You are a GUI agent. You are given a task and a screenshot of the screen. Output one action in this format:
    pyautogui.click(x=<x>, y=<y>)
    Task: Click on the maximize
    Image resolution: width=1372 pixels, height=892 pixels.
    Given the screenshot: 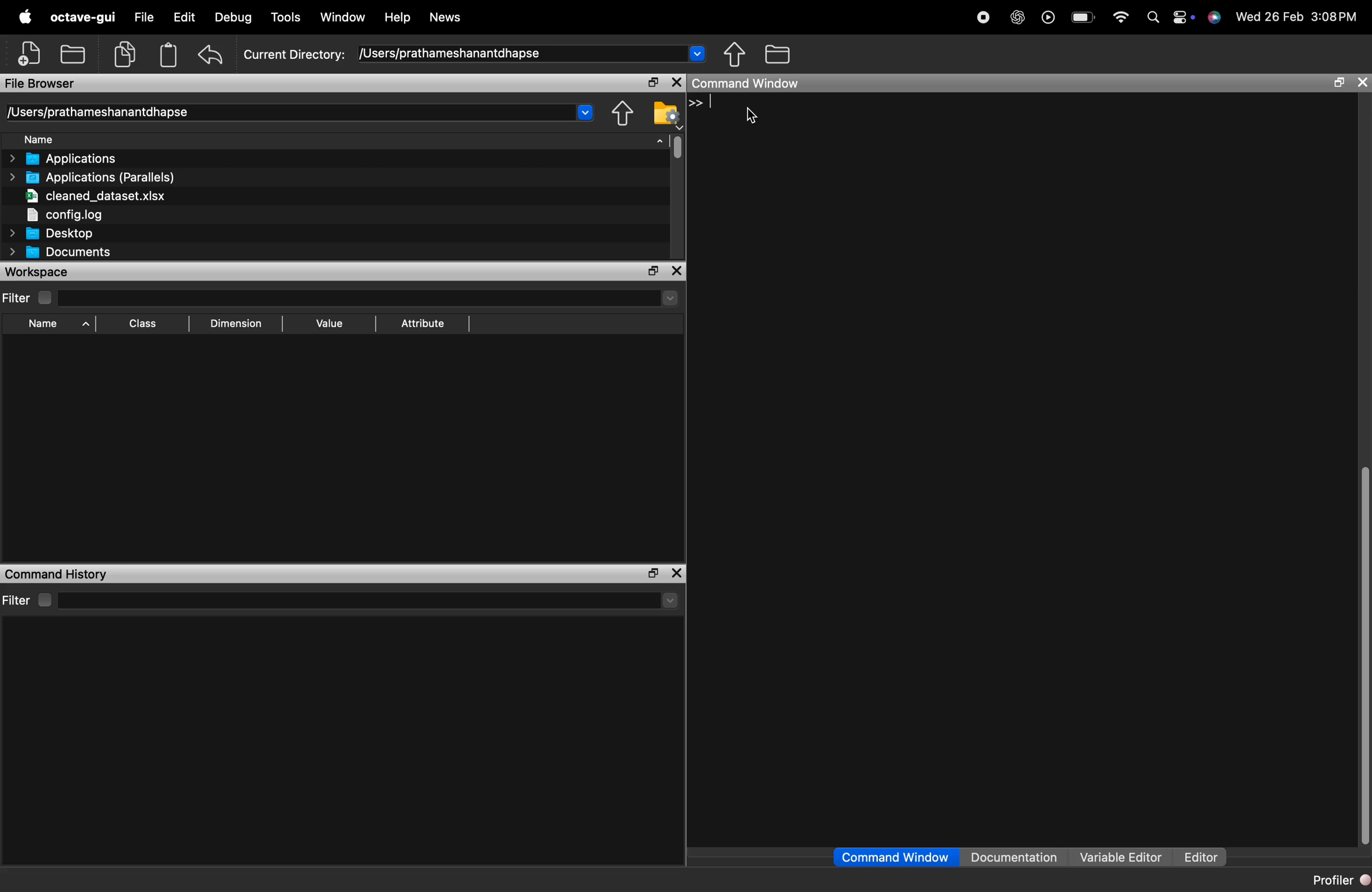 What is the action you would take?
    pyautogui.click(x=675, y=573)
    